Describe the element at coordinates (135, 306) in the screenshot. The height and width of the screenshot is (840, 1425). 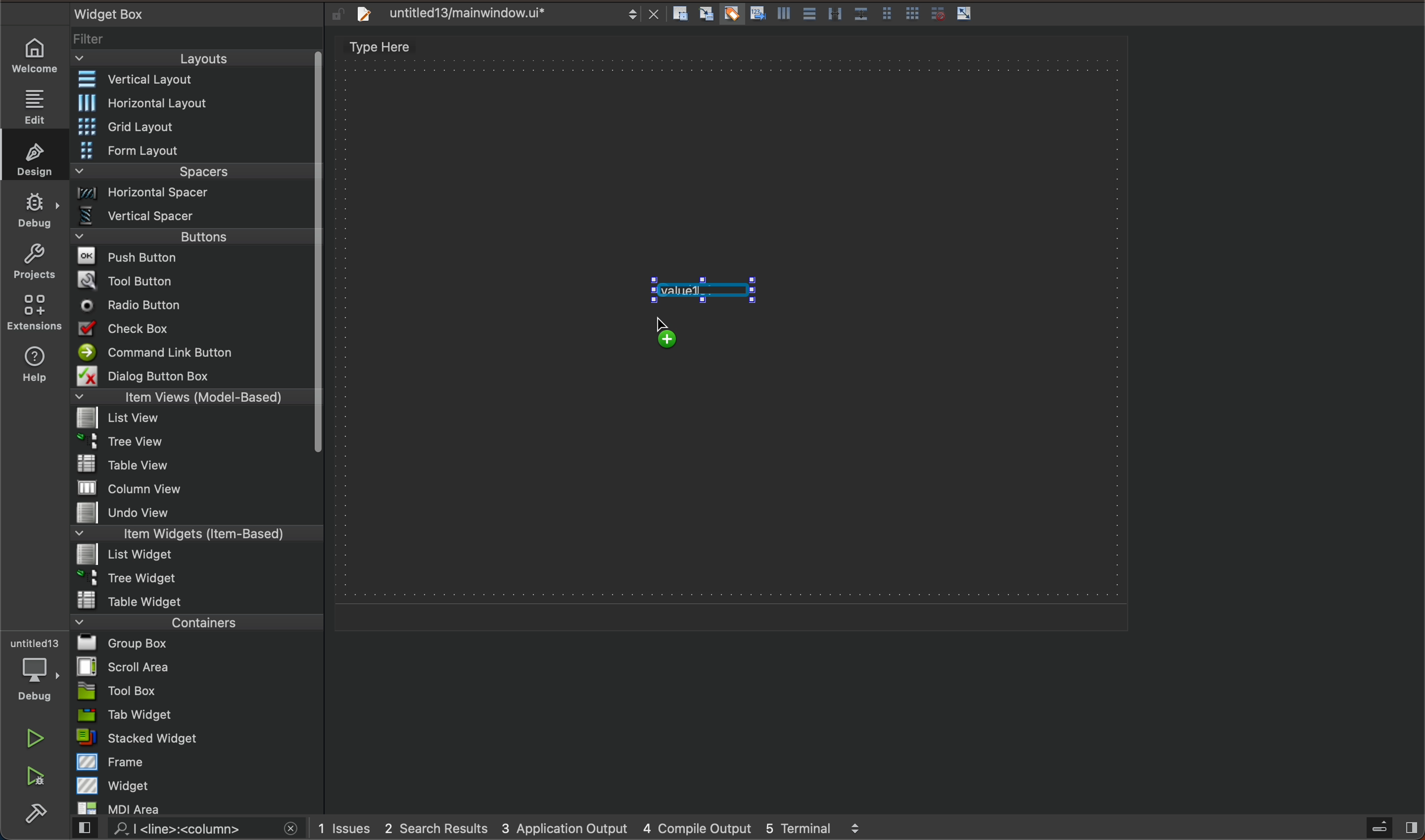
I see `on key down` at that location.